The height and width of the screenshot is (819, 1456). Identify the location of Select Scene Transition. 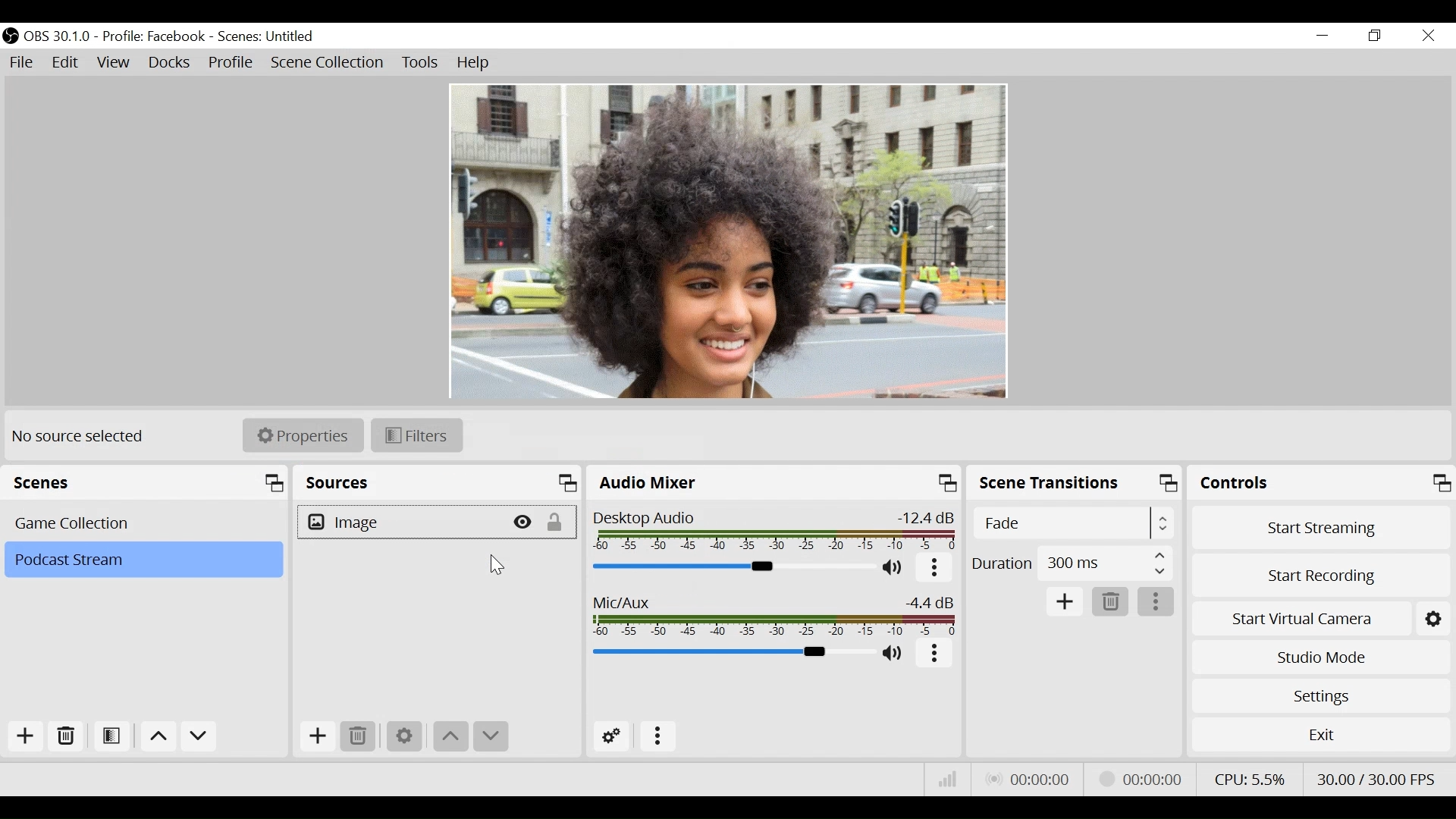
(1073, 525).